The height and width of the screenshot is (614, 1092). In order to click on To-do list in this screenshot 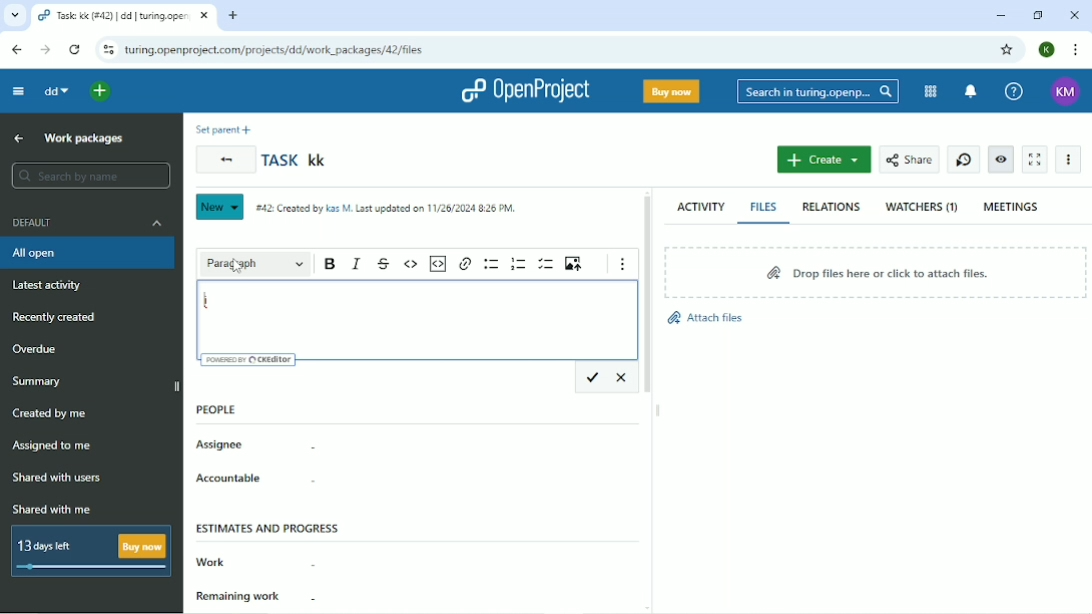, I will do `click(546, 263)`.